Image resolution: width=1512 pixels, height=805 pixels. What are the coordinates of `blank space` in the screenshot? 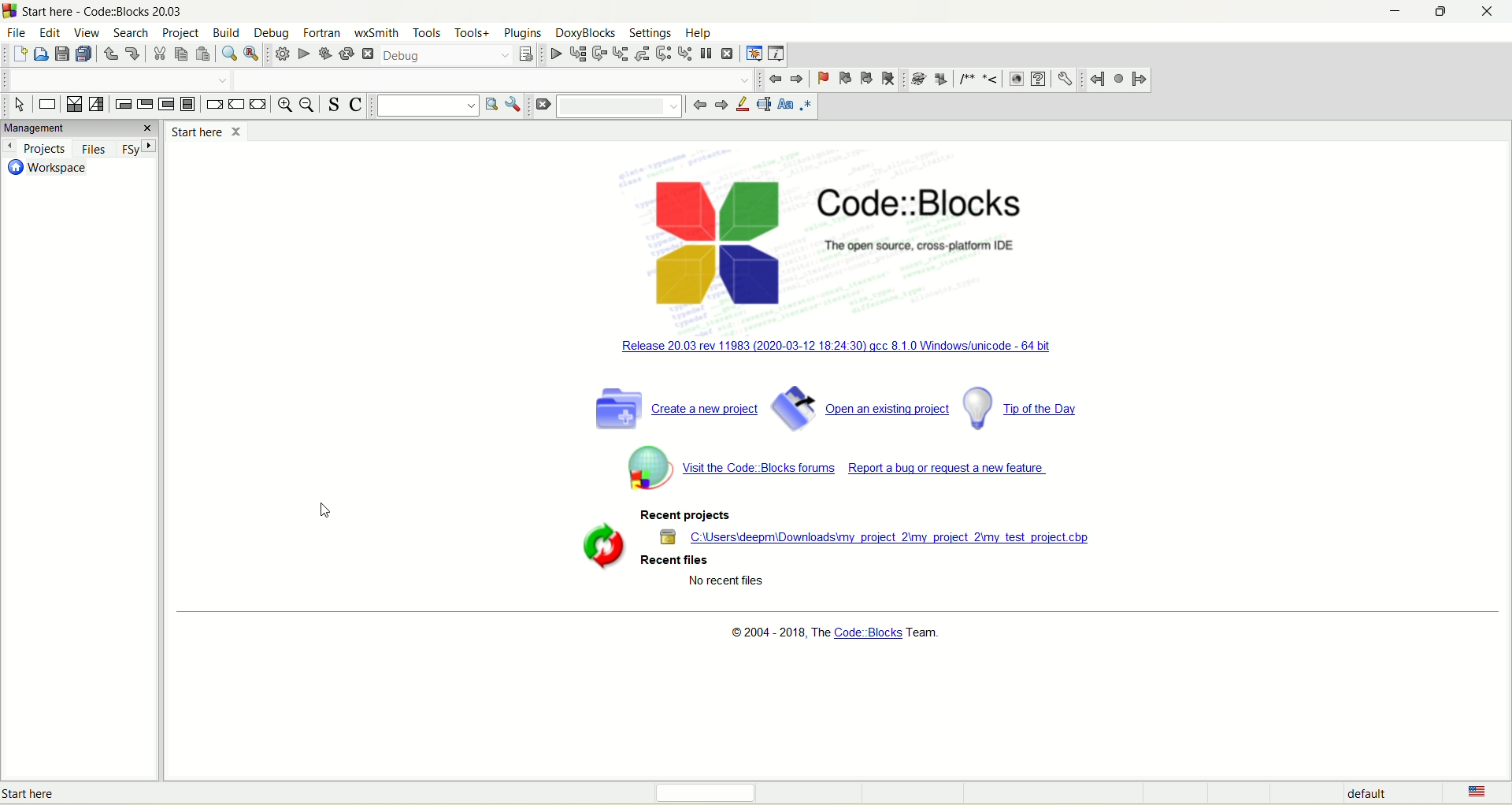 It's located at (498, 79).